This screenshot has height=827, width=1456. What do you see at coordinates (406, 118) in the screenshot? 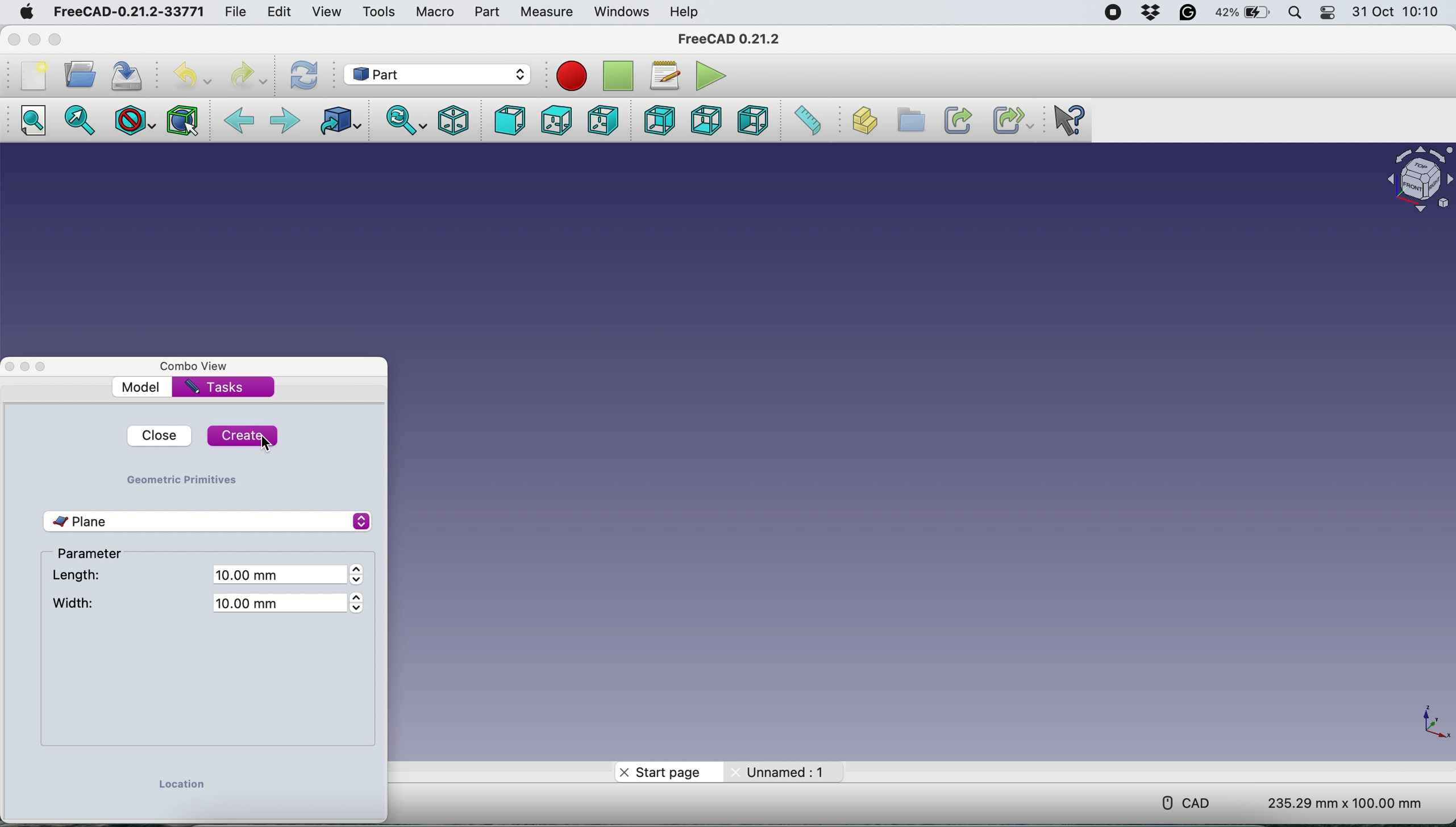
I see `Sync view` at bounding box center [406, 118].